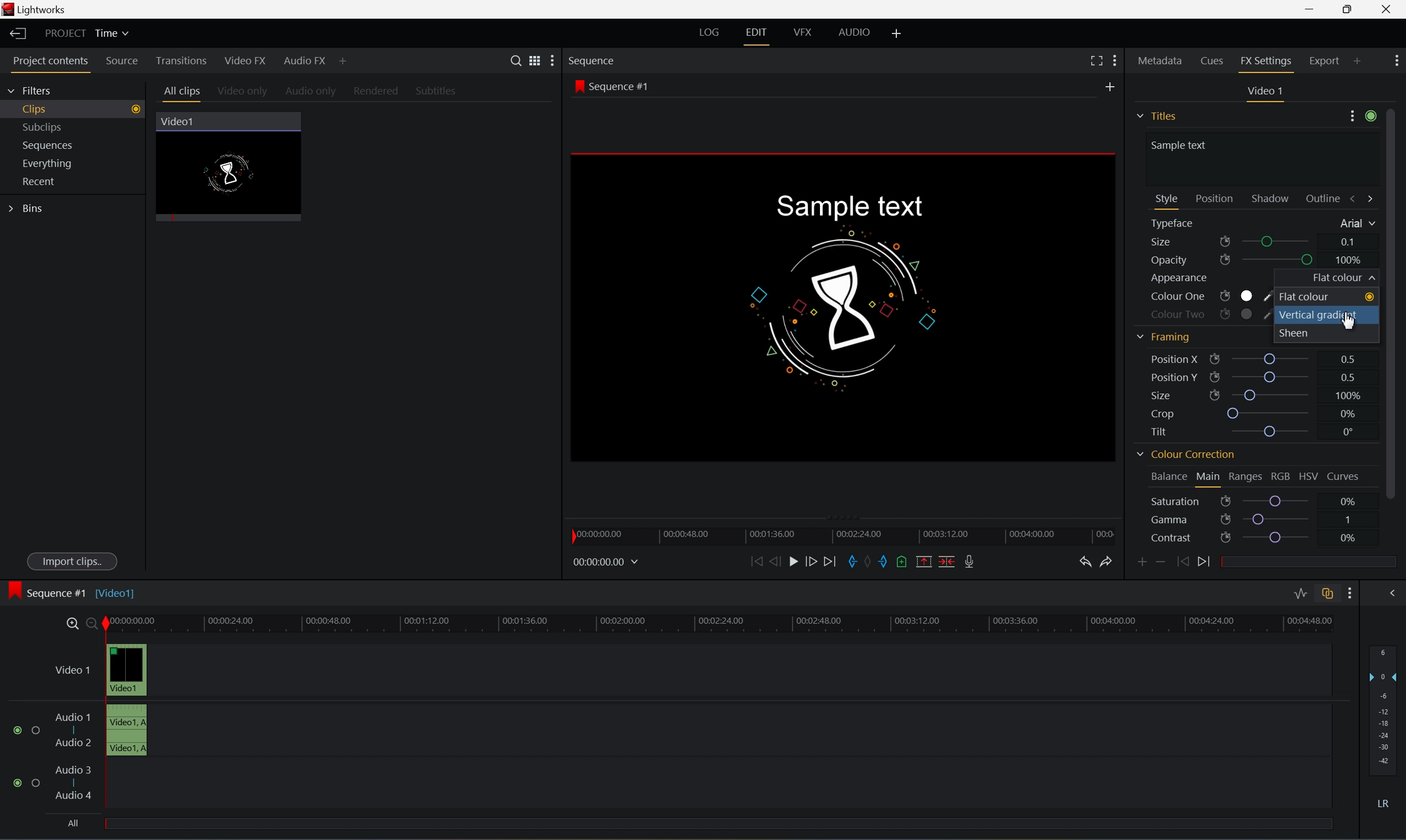 This screenshot has width=1406, height=840. What do you see at coordinates (1326, 200) in the screenshot?
I see `outline` at bounding box center [1326, 200].